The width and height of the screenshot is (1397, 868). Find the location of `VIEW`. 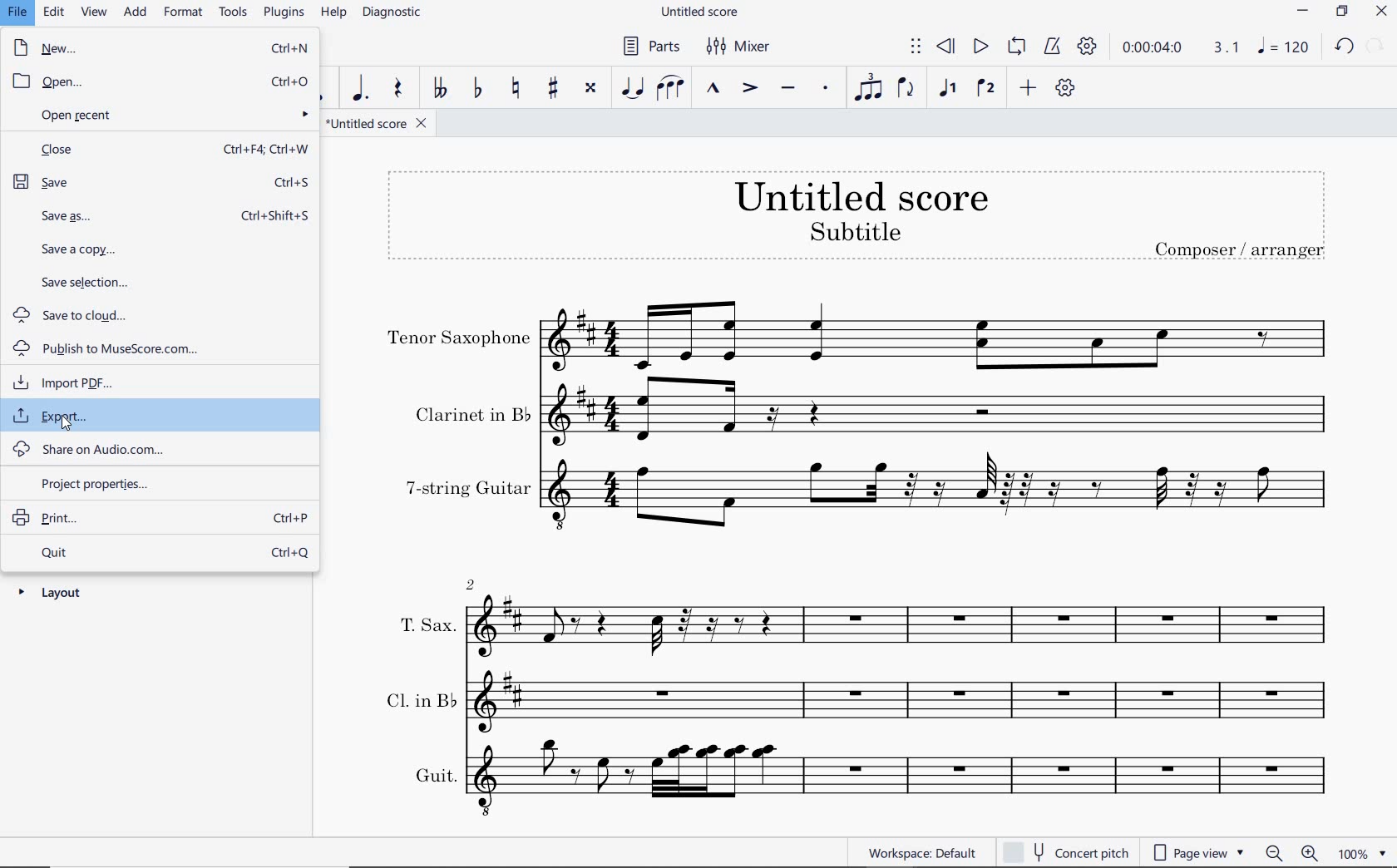

VIEW is located at coordinates (94, 11).